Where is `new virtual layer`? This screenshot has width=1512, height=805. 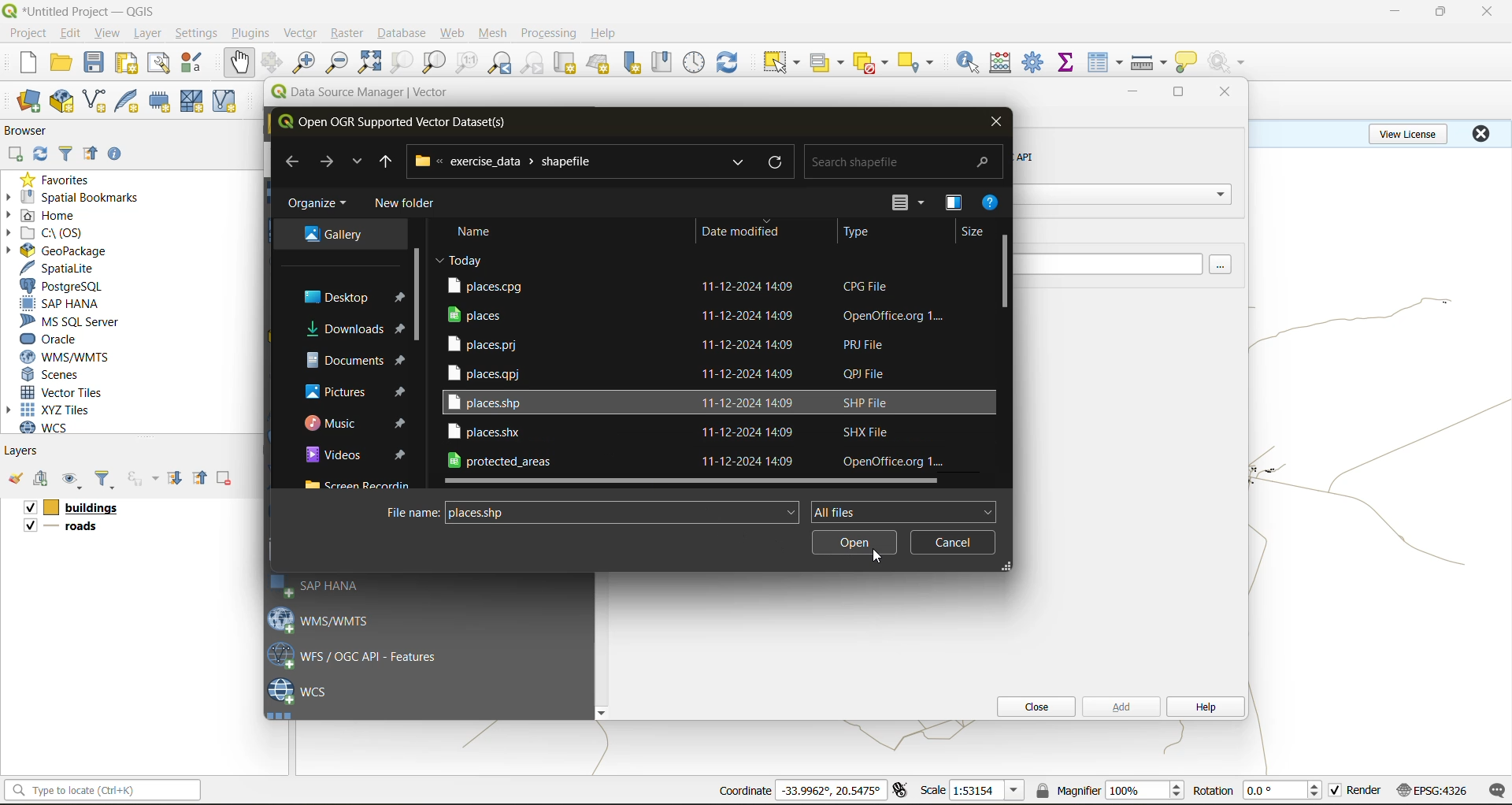
new virtual layer is located at coordinates (227, 102).